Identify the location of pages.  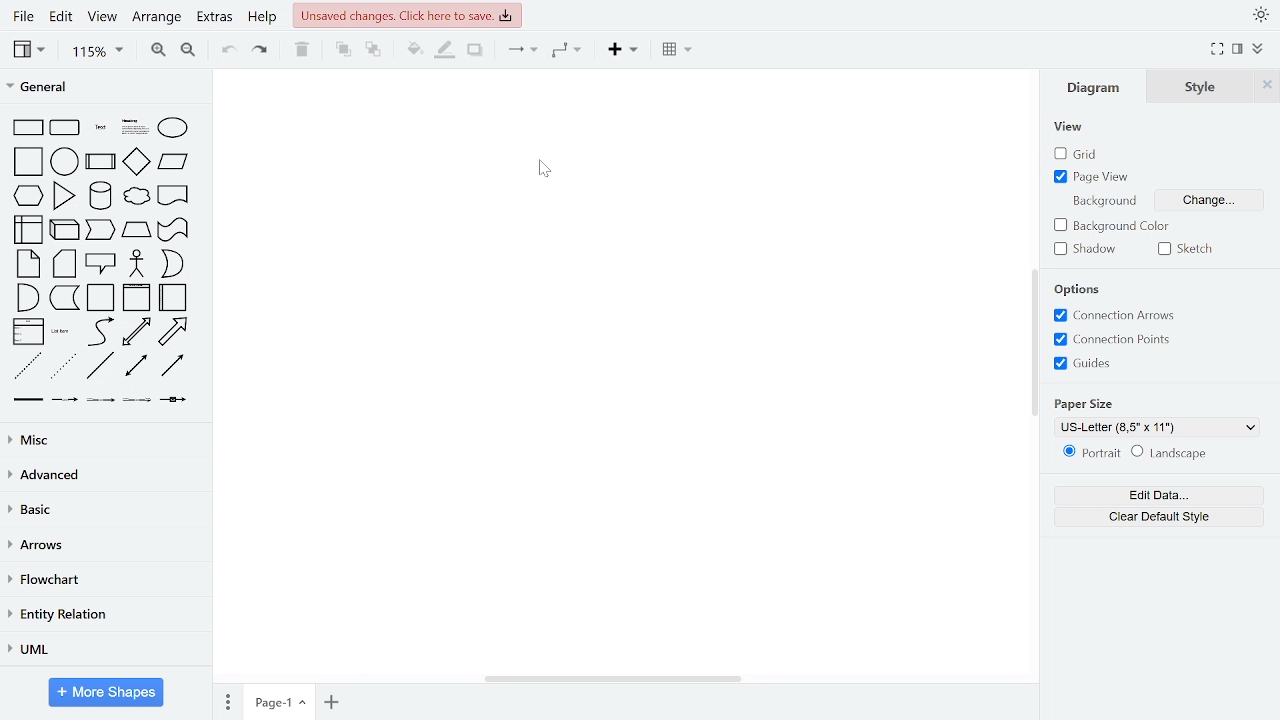
(226, 701).